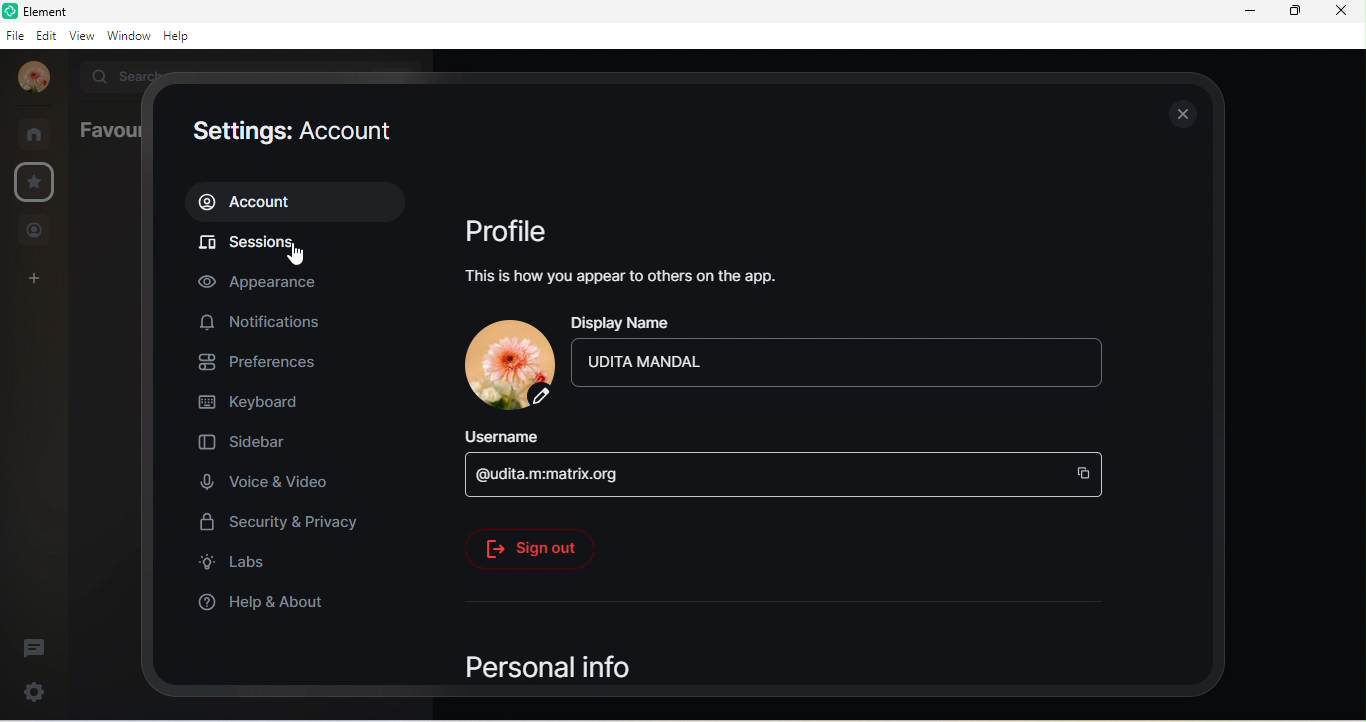  What do you see at coordinates (299, 257) in the screenshot?
I see `cursor movement` at bounding box center [299, 257].